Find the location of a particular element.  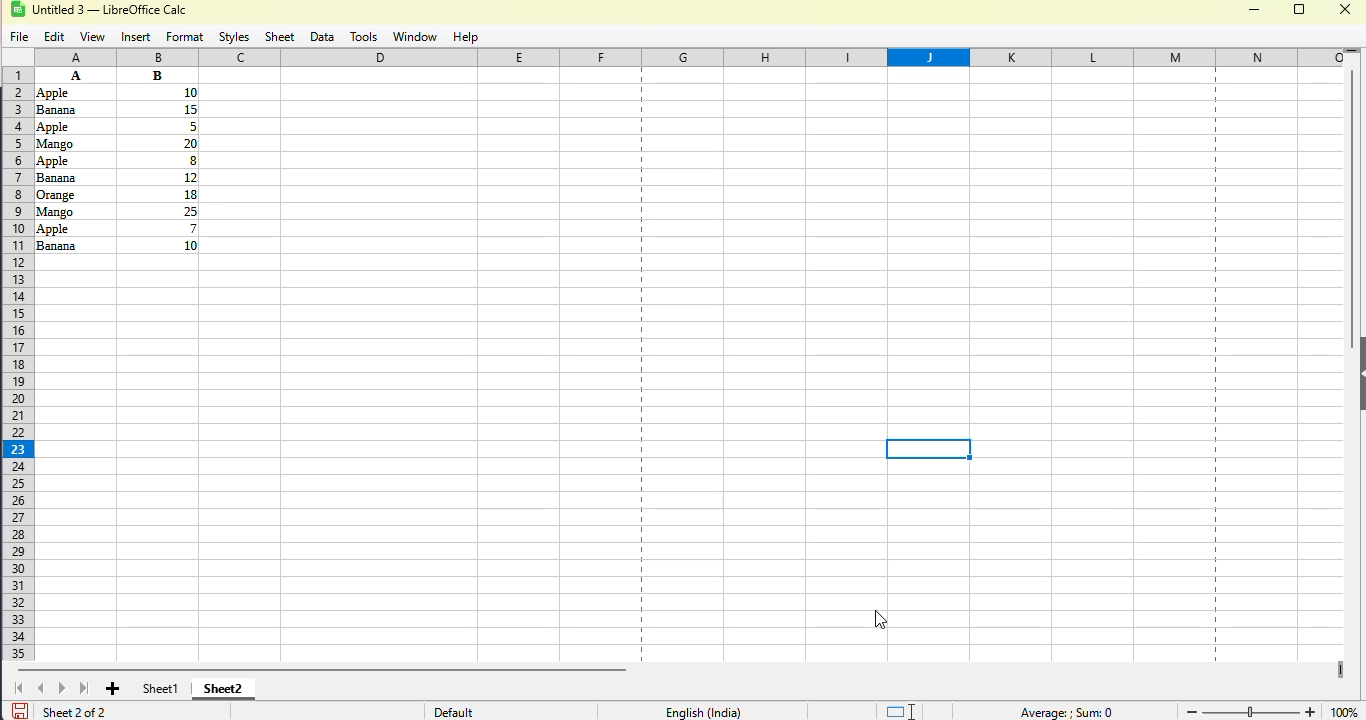

active cell is located at coordinates (929, 449).